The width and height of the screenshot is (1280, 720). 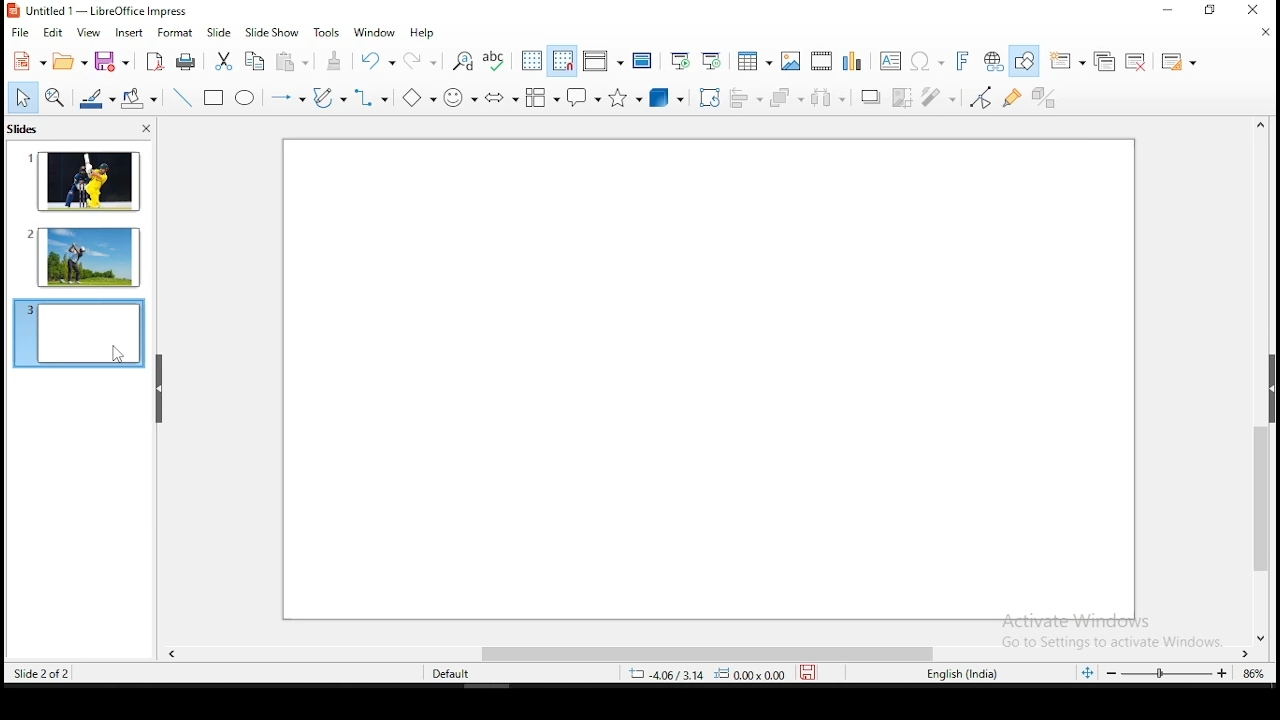 I want to click on fit slide to current window, so click(x=1089, y=670).